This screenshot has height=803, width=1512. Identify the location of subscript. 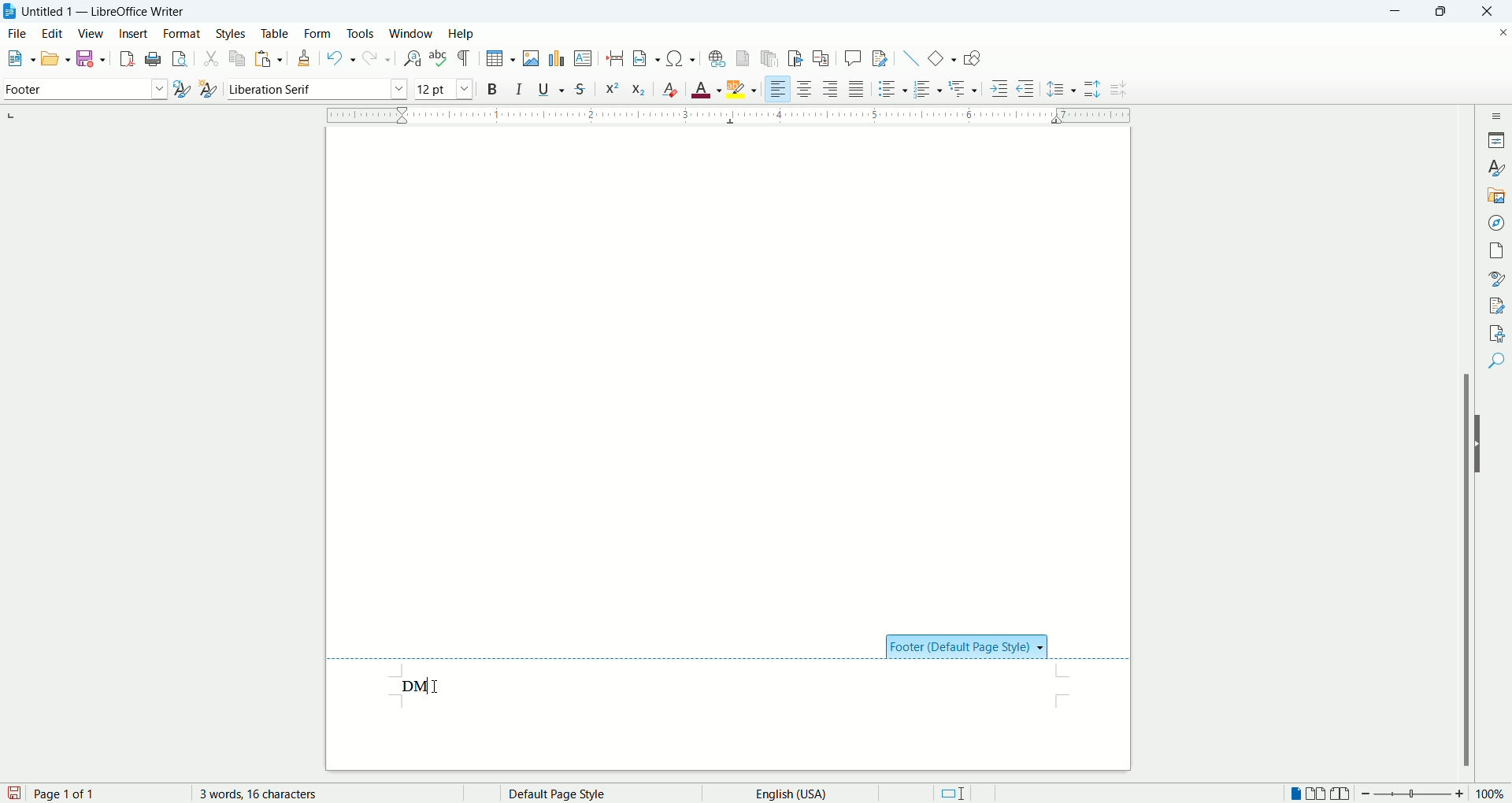
(639, 91).